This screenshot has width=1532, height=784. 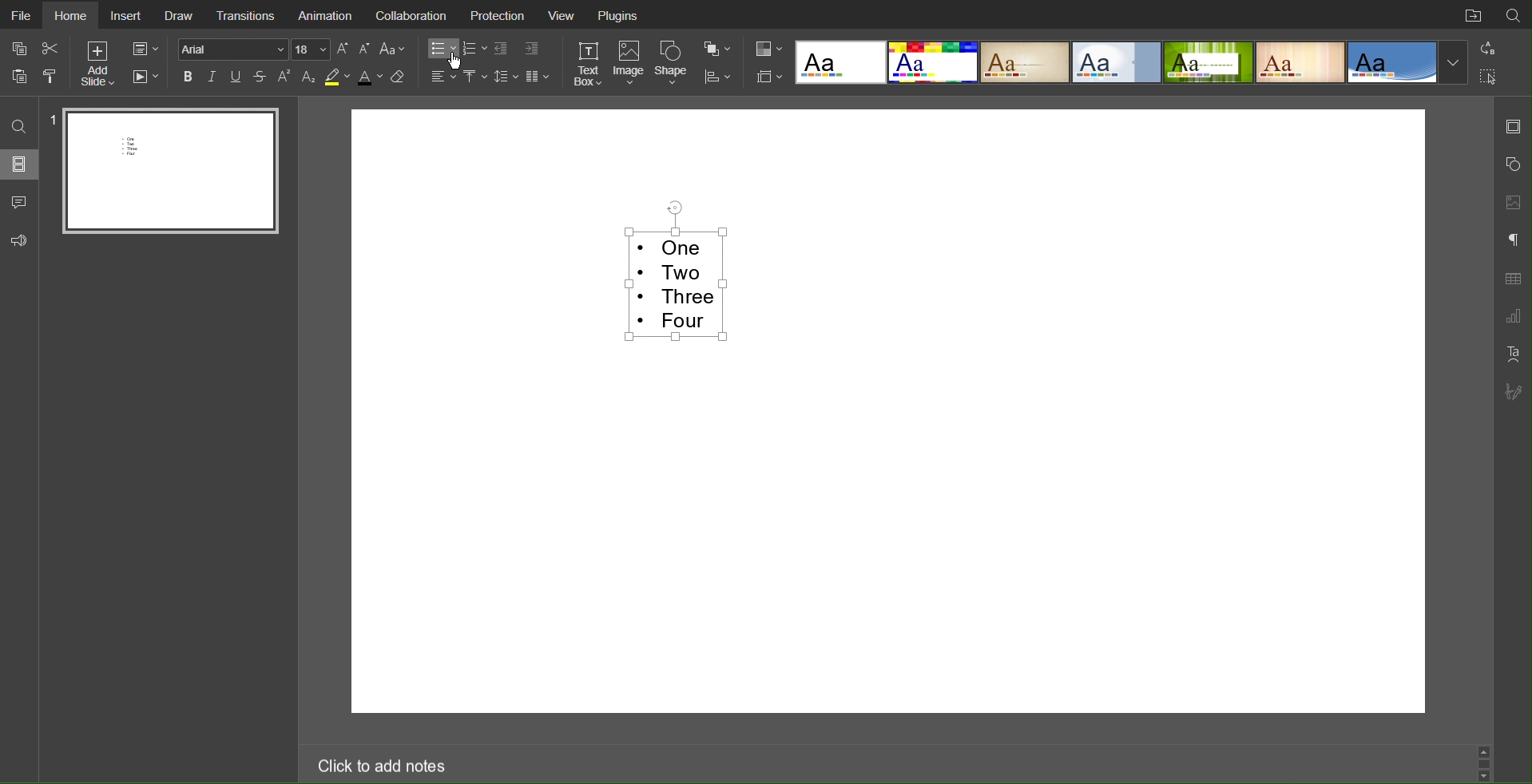 What do you see at coordinates (1485, 49) in the screenshot?
I see `Replace` at bounding box center [1485, 49].